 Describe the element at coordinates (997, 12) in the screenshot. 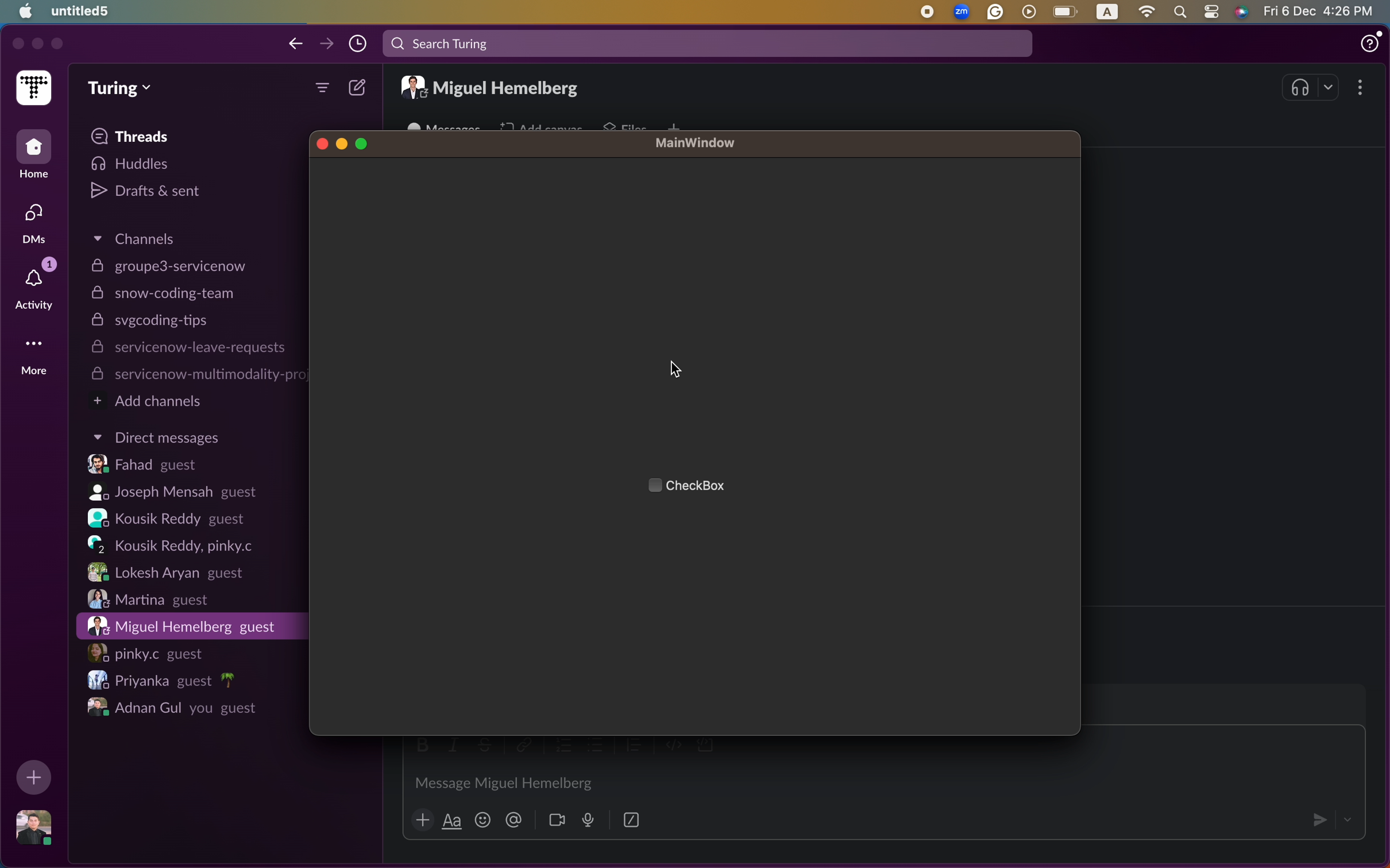

I see `G` at that location.